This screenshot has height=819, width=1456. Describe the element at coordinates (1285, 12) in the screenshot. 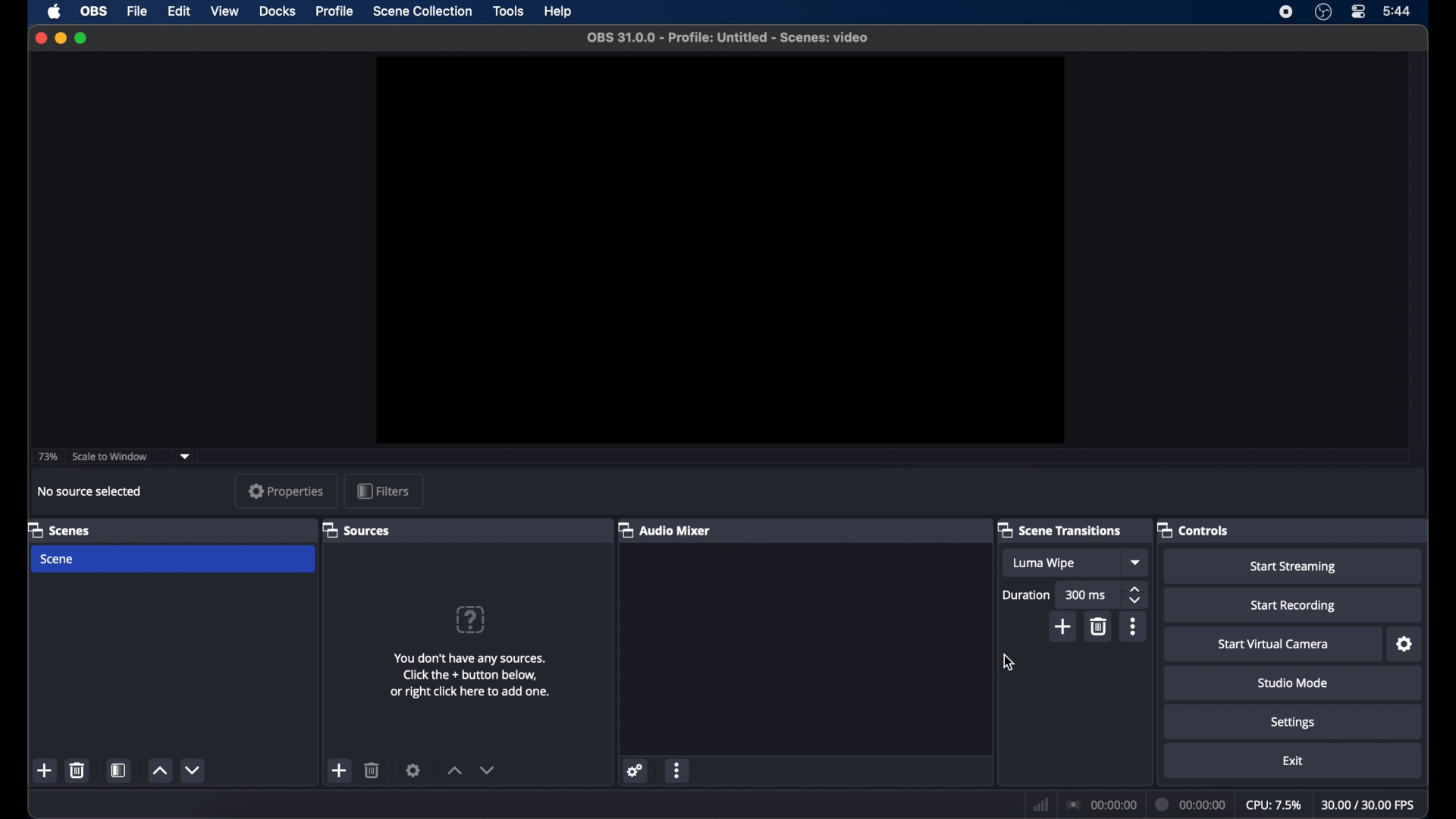

I see `screen recorder icon` at that location.